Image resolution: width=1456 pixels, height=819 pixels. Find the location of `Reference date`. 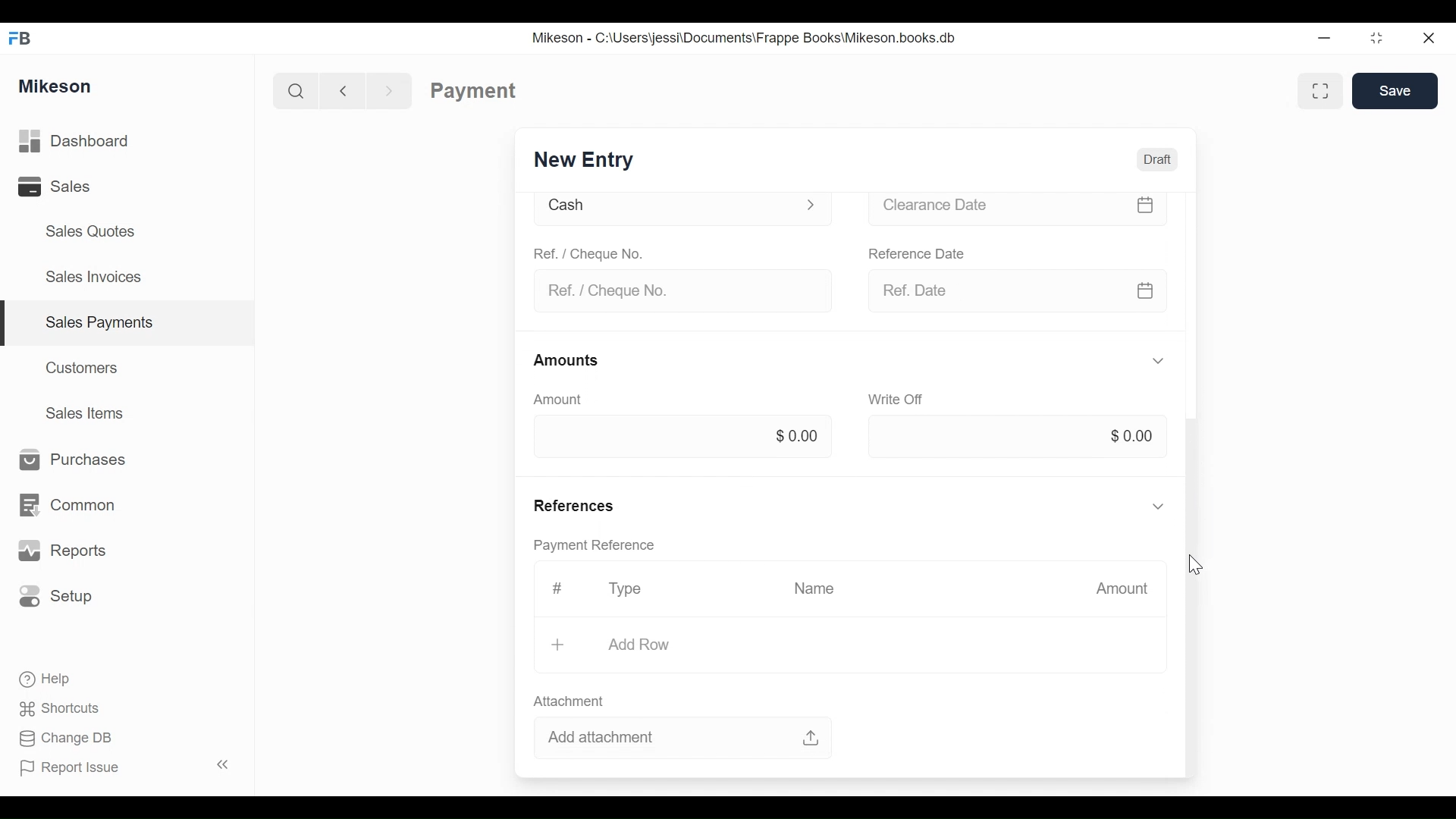

Reference date is located at coordinates (918, 253).